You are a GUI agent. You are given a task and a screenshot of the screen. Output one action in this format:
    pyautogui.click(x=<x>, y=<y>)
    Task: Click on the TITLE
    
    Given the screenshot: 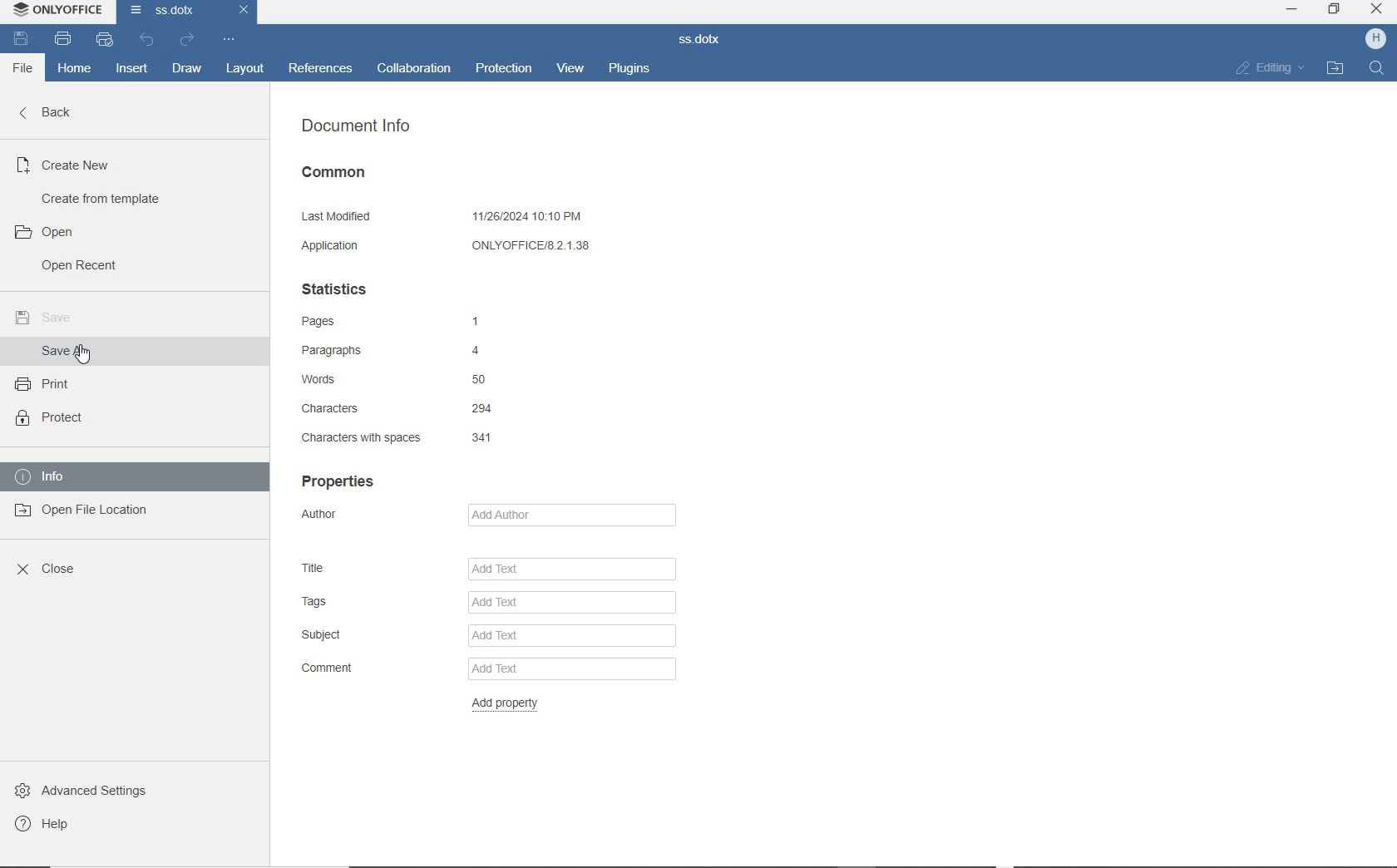 What is the action you would take?
    pyautogui.click(x=486, y=570)
    